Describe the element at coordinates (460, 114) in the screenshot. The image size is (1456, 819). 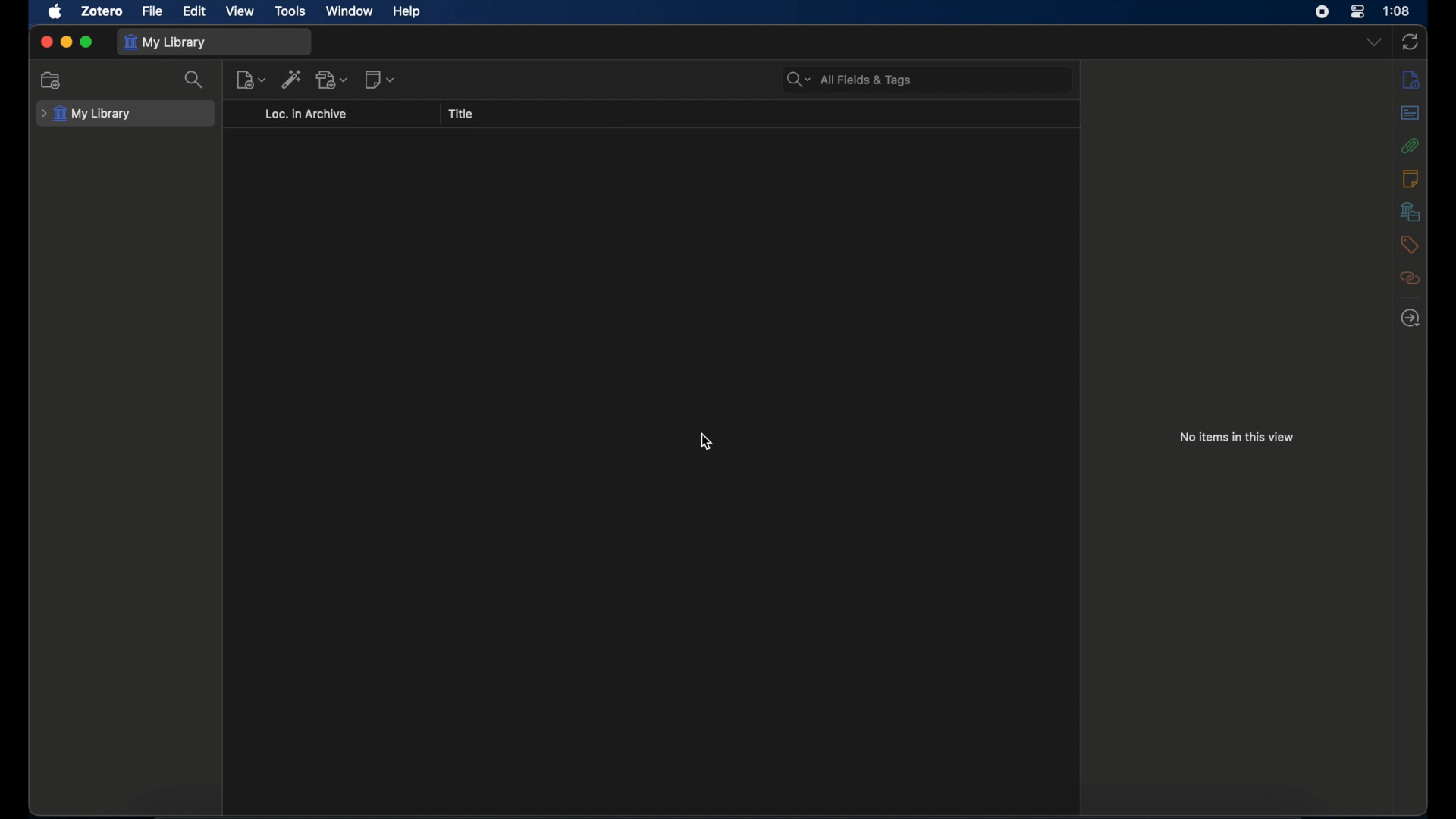
I see `title` at that location.